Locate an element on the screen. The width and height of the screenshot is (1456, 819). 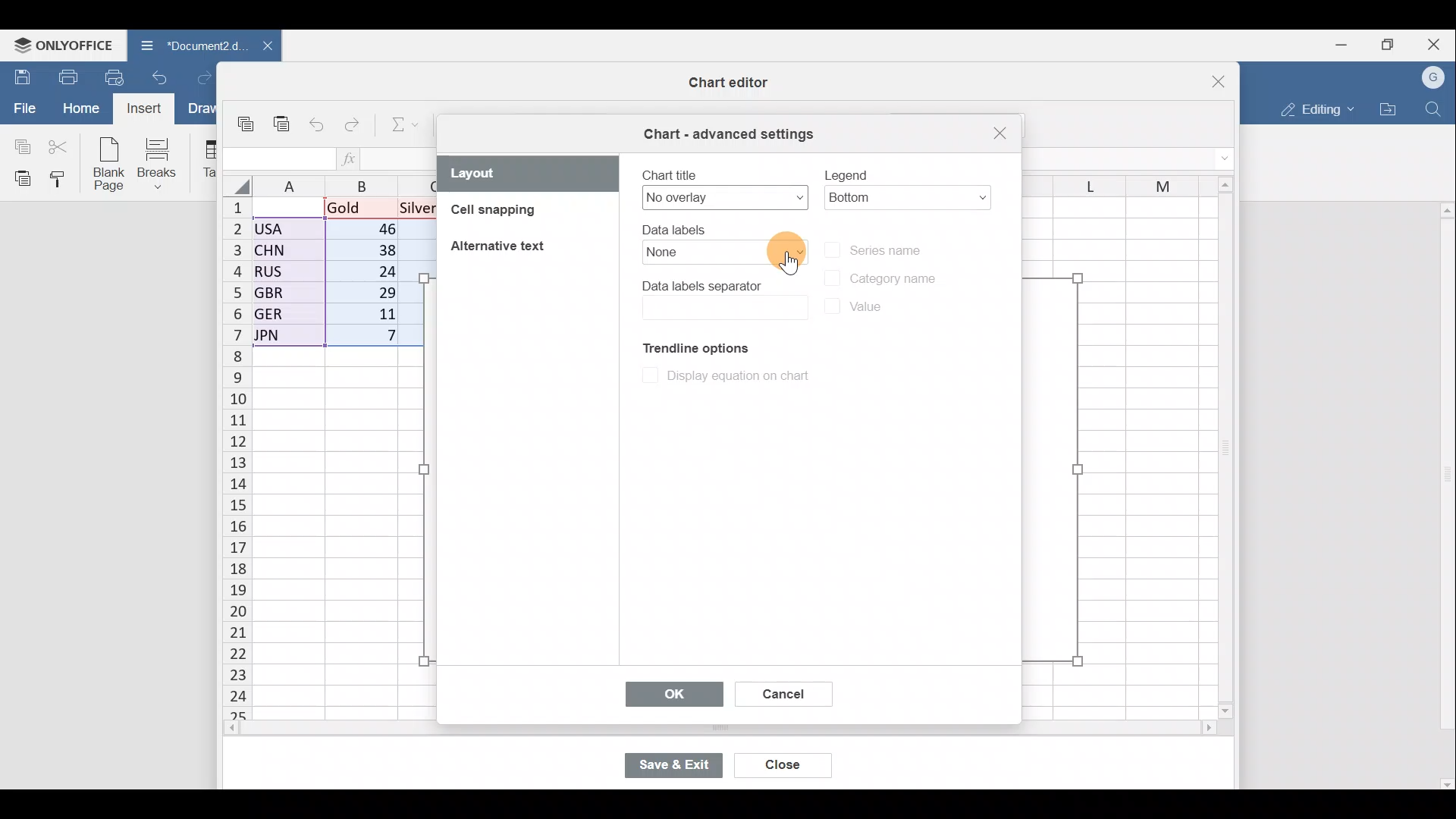
Copy is located at coordinates (249, 126).